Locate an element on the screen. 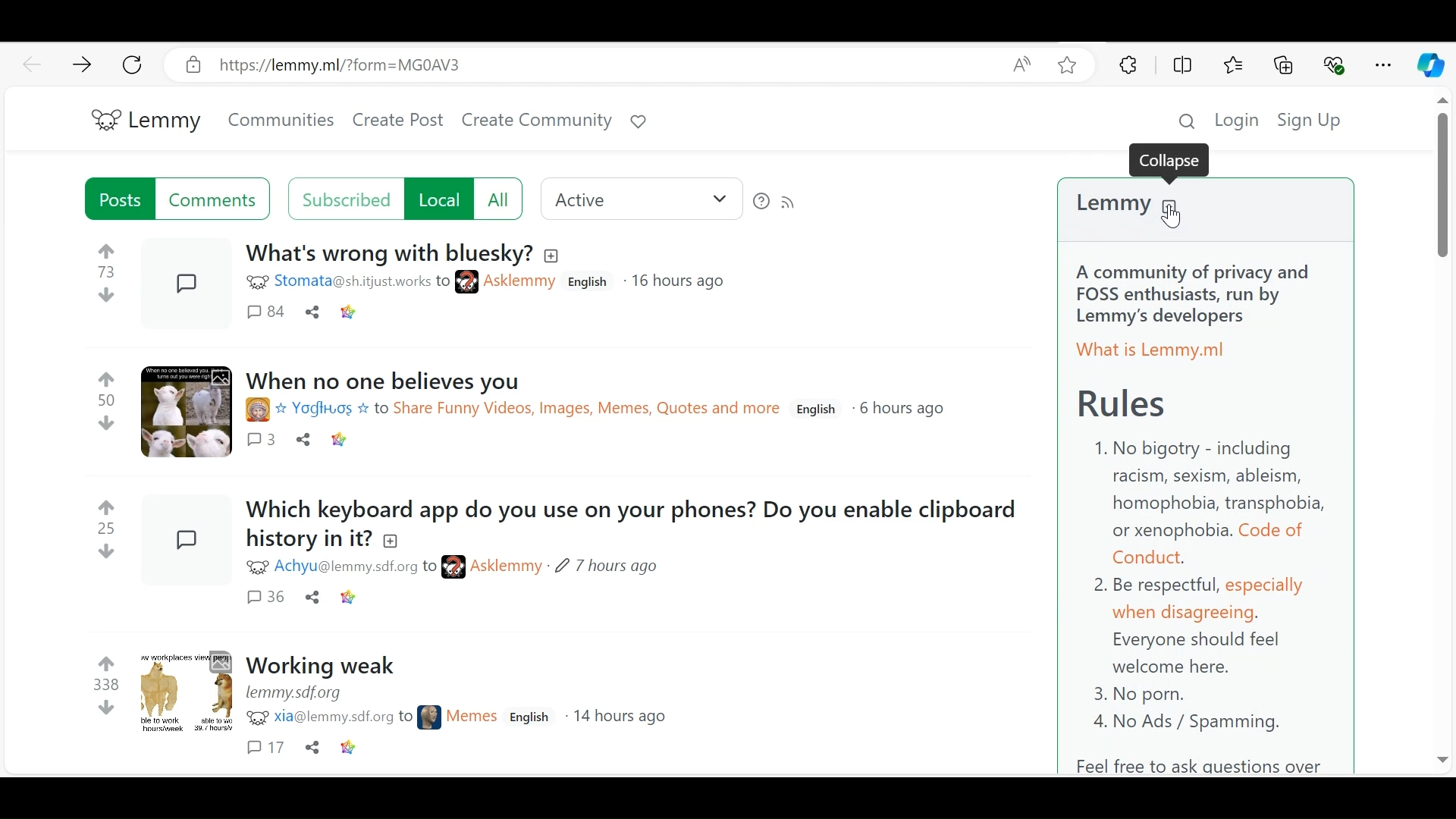 Image resolution: width=1456 pixels, height=819 pixels. 25 is located at coordinates (102, 527).